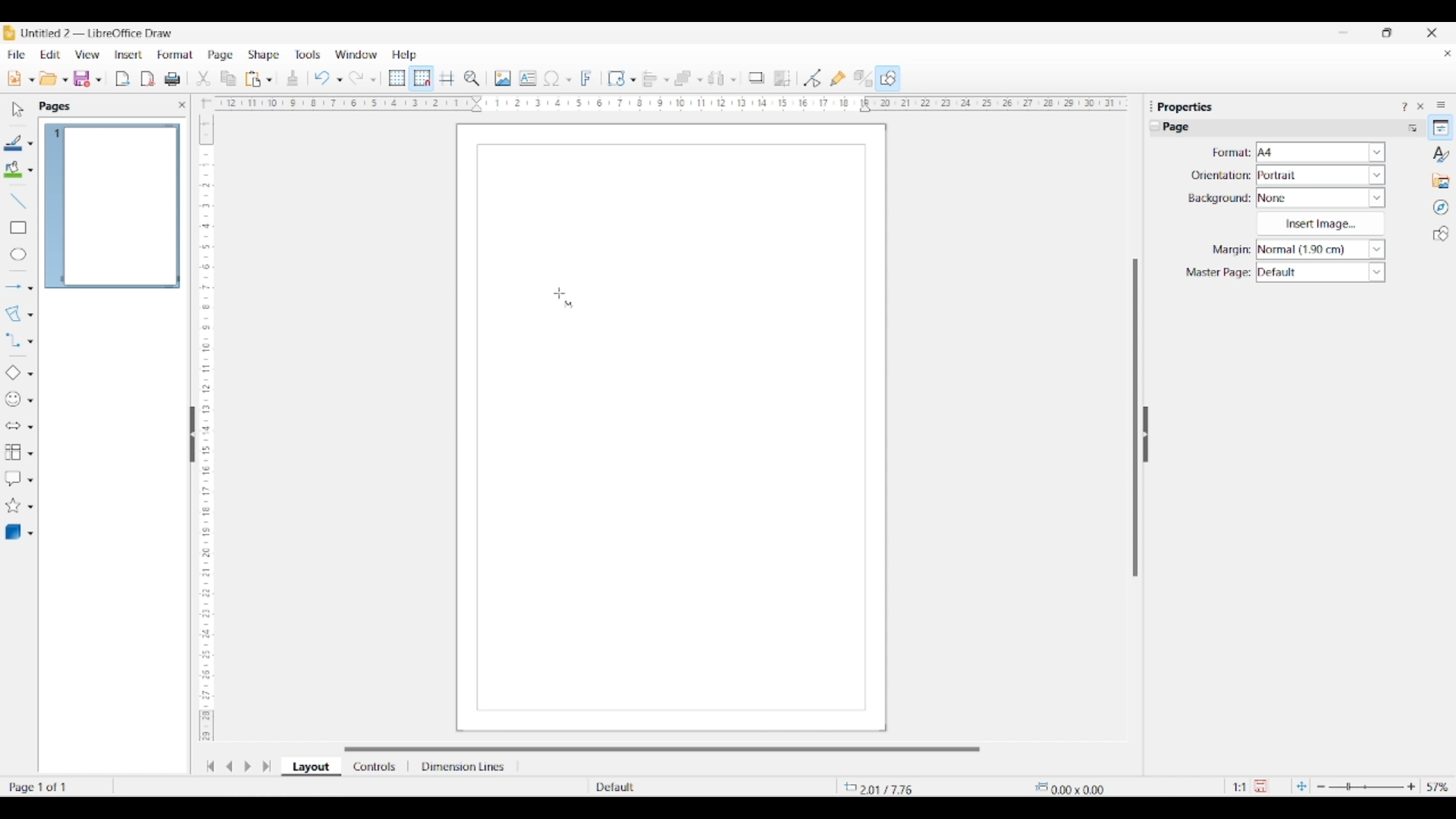  What do you see at coordinates (1320, 249) in the screenshot?
I see `Margin options` at bounding box center [1320, 249].